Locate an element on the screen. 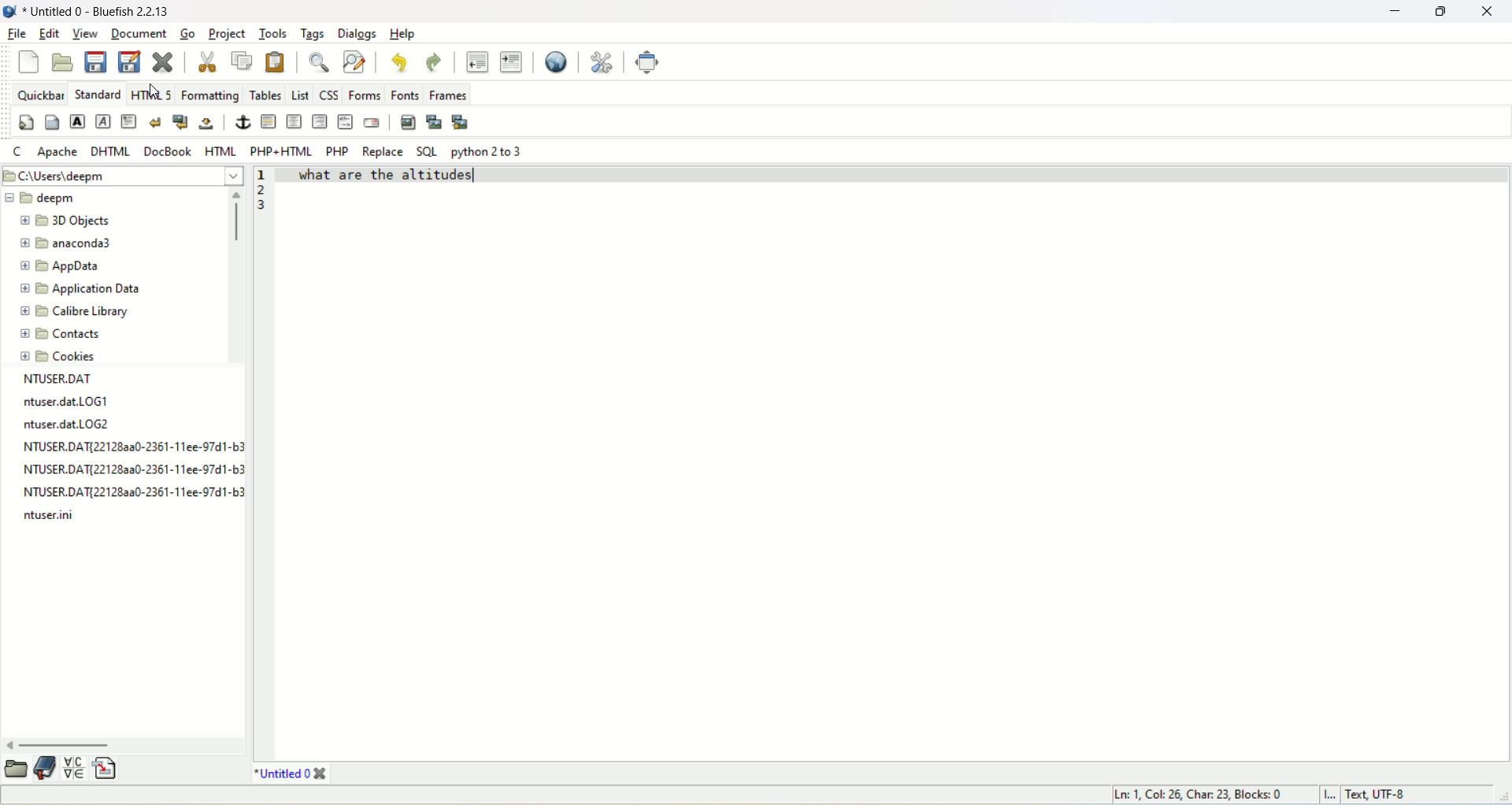 This screenshot has height=805, width=1512. fullscreen is located at coordinates (648, 62).